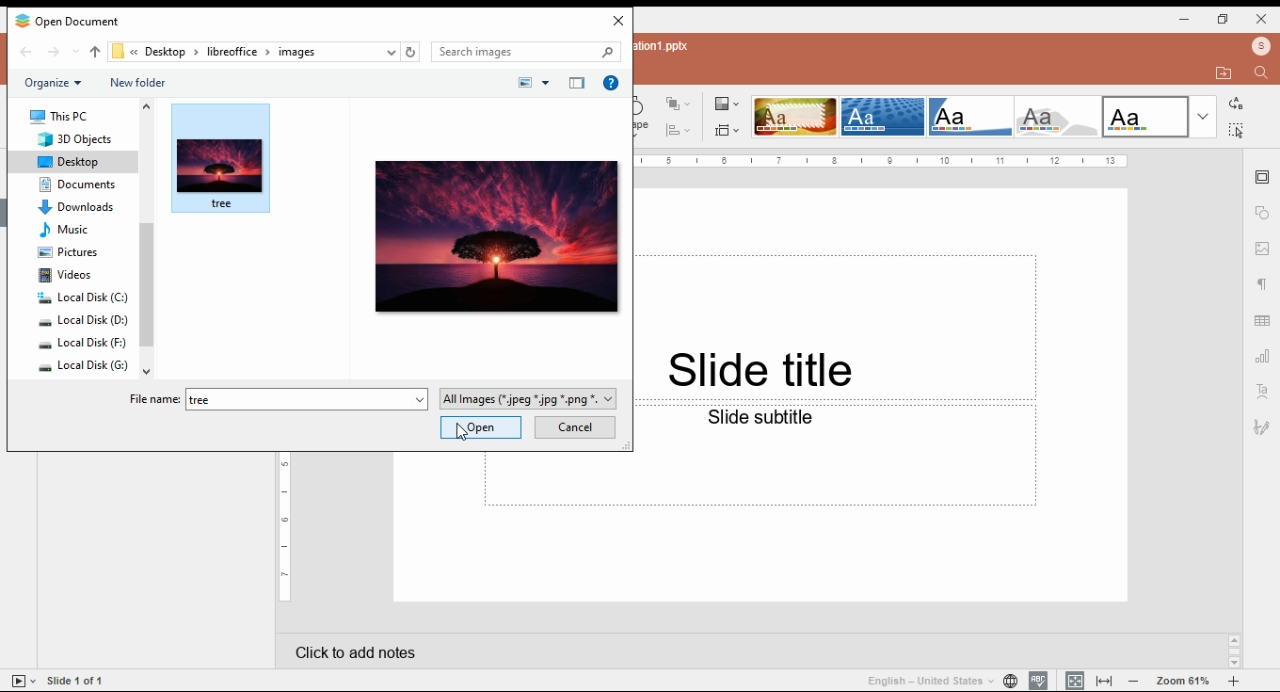  I want to click on , so click(1261, 427).